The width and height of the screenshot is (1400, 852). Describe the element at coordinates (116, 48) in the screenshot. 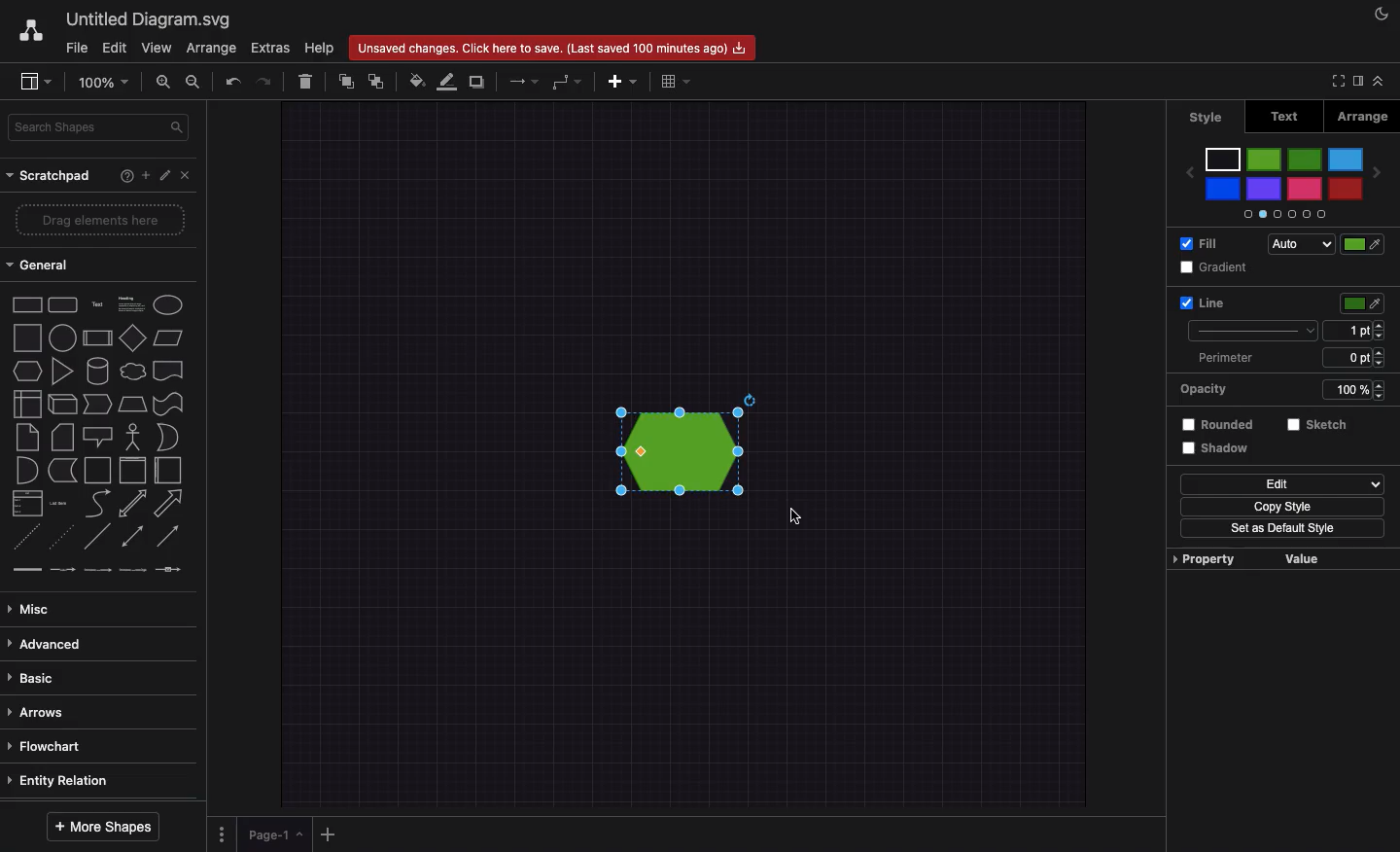

I see `Edit` at that location.